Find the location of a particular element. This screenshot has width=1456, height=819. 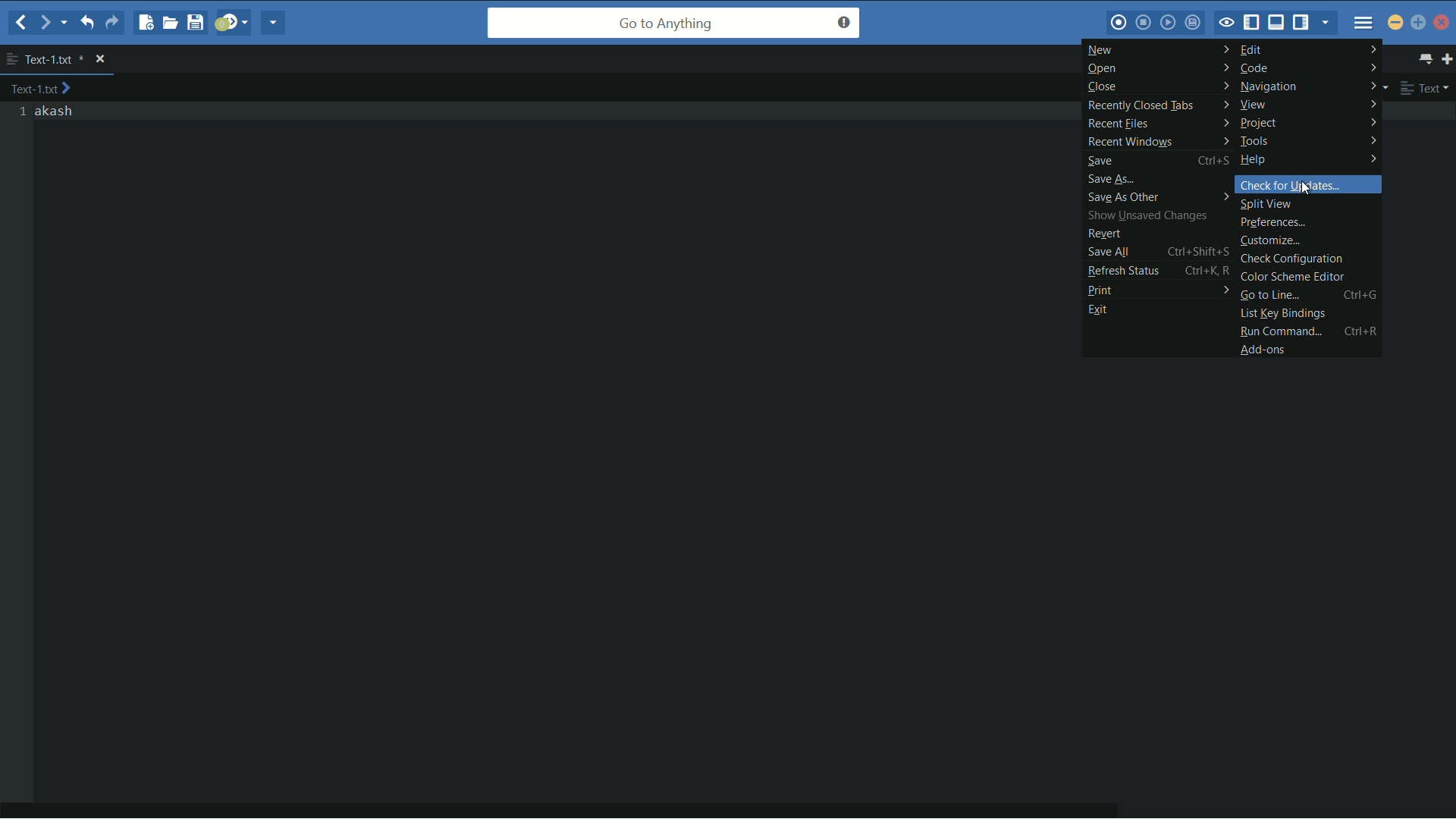

go to line is located at coordinates (1308, 296).